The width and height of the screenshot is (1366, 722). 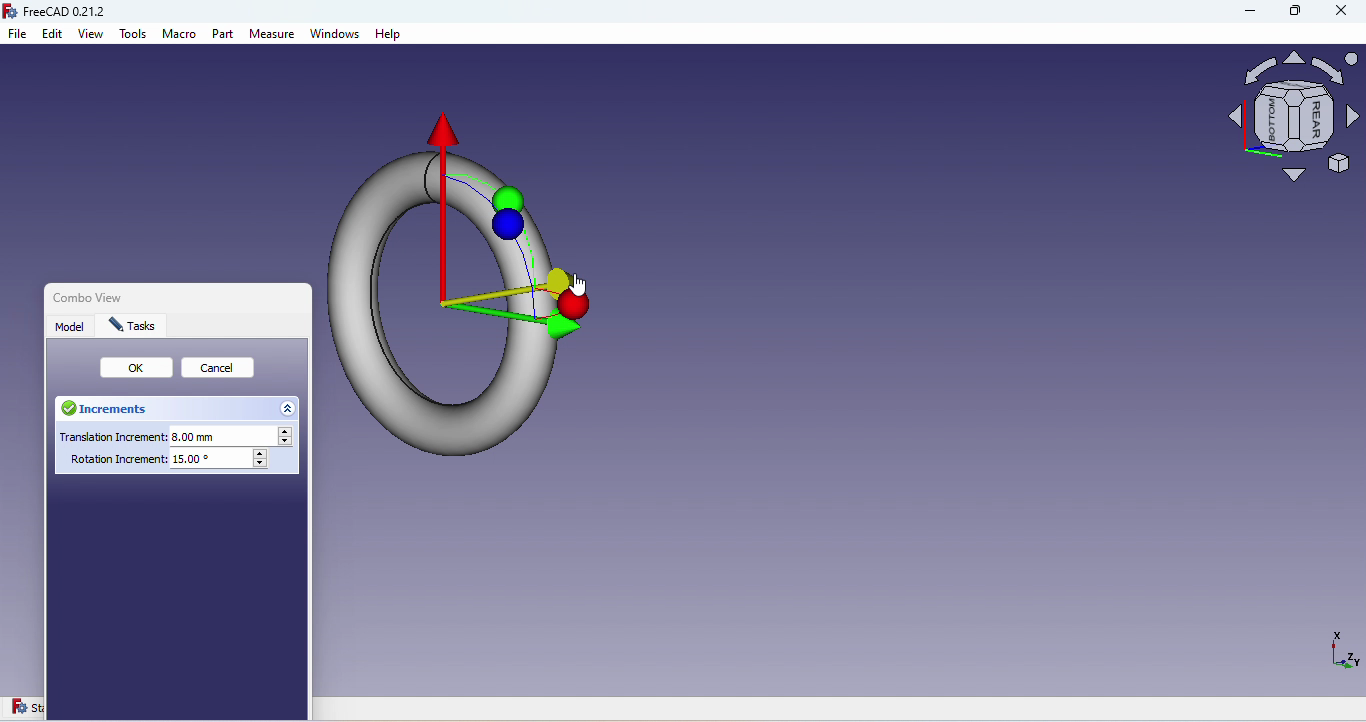 What do you see at coordinates (92, 35) in the screenshot?
I see `View` at bounding box center [92, 35].